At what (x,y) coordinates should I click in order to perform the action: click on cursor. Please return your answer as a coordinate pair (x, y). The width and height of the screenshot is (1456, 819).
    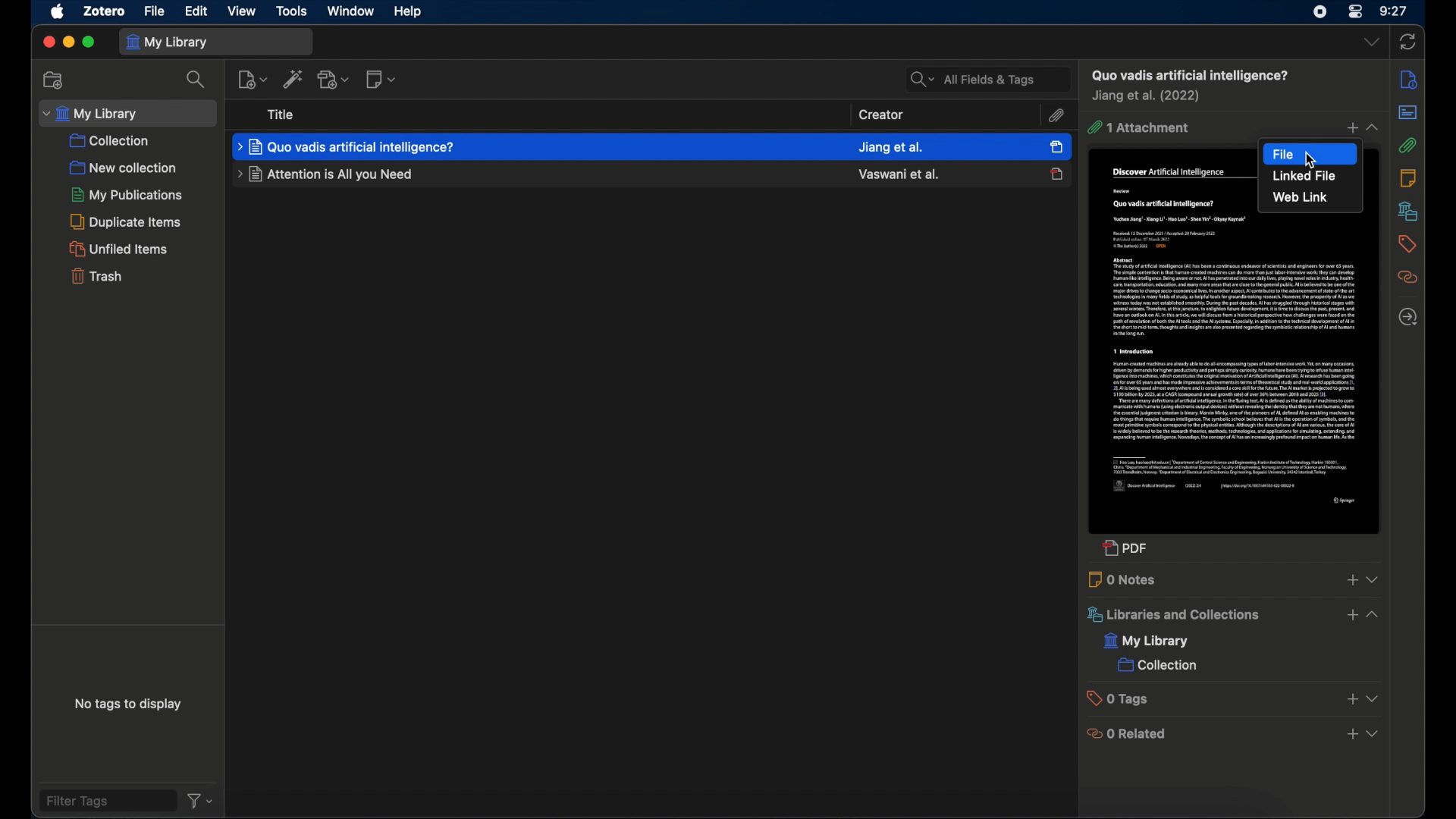
    Looking at the image, I should click on (1313, 160).